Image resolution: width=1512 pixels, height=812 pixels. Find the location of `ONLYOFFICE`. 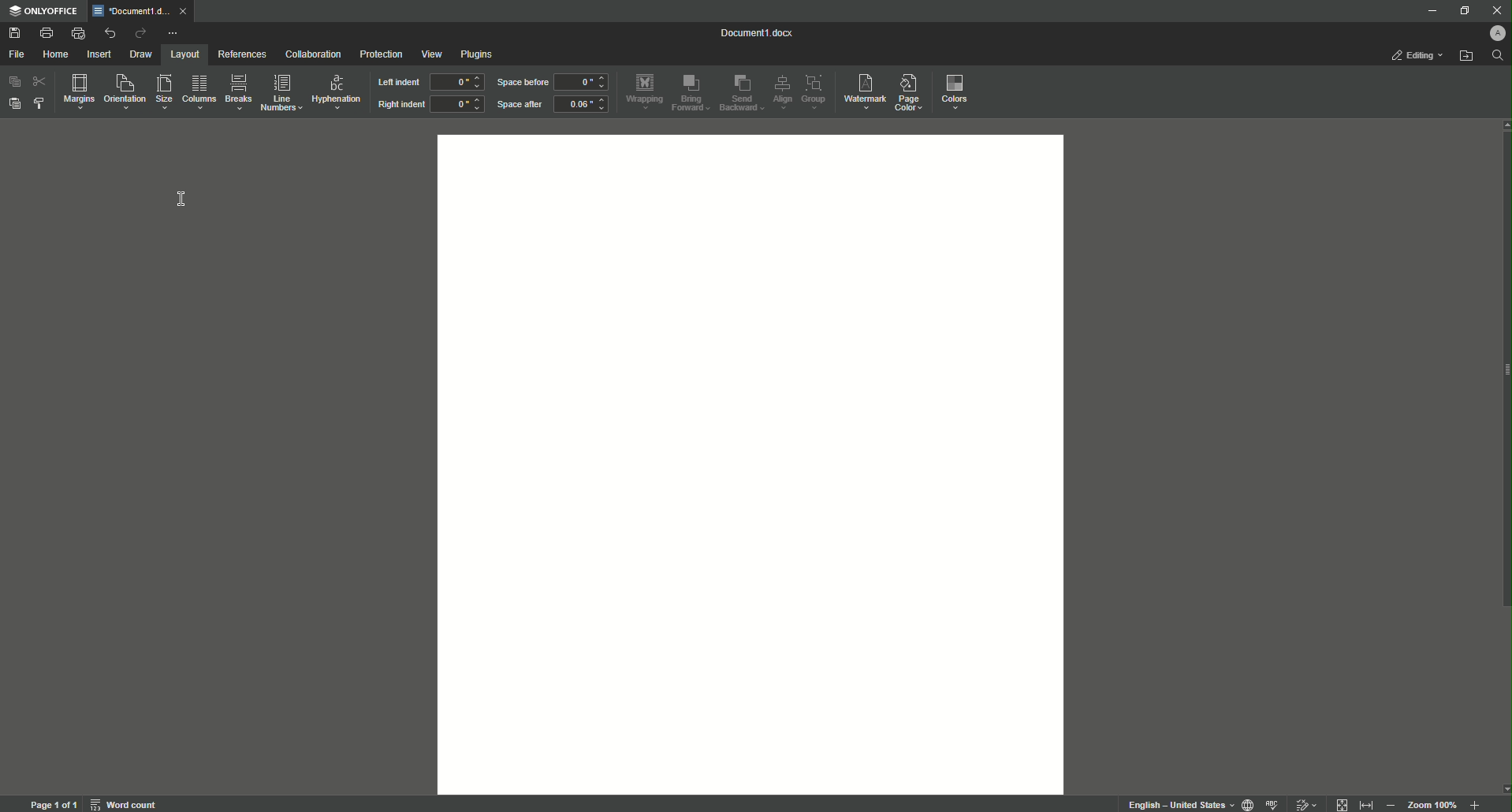

ONLYOFFICE is located at coordinates (45, 10).